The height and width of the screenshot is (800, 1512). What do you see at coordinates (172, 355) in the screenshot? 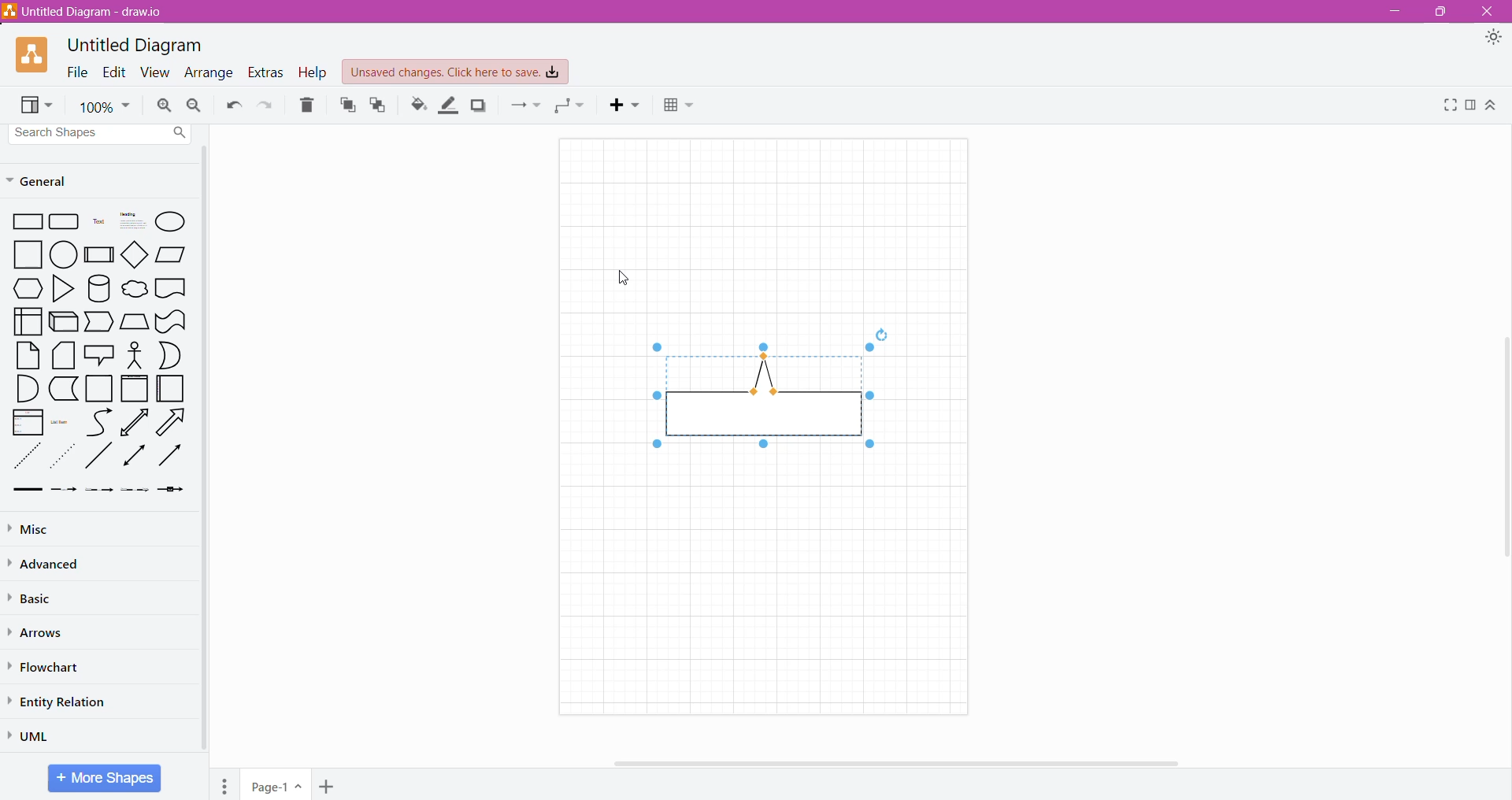
I see `Half Circle` at bounding box center [172, 355].